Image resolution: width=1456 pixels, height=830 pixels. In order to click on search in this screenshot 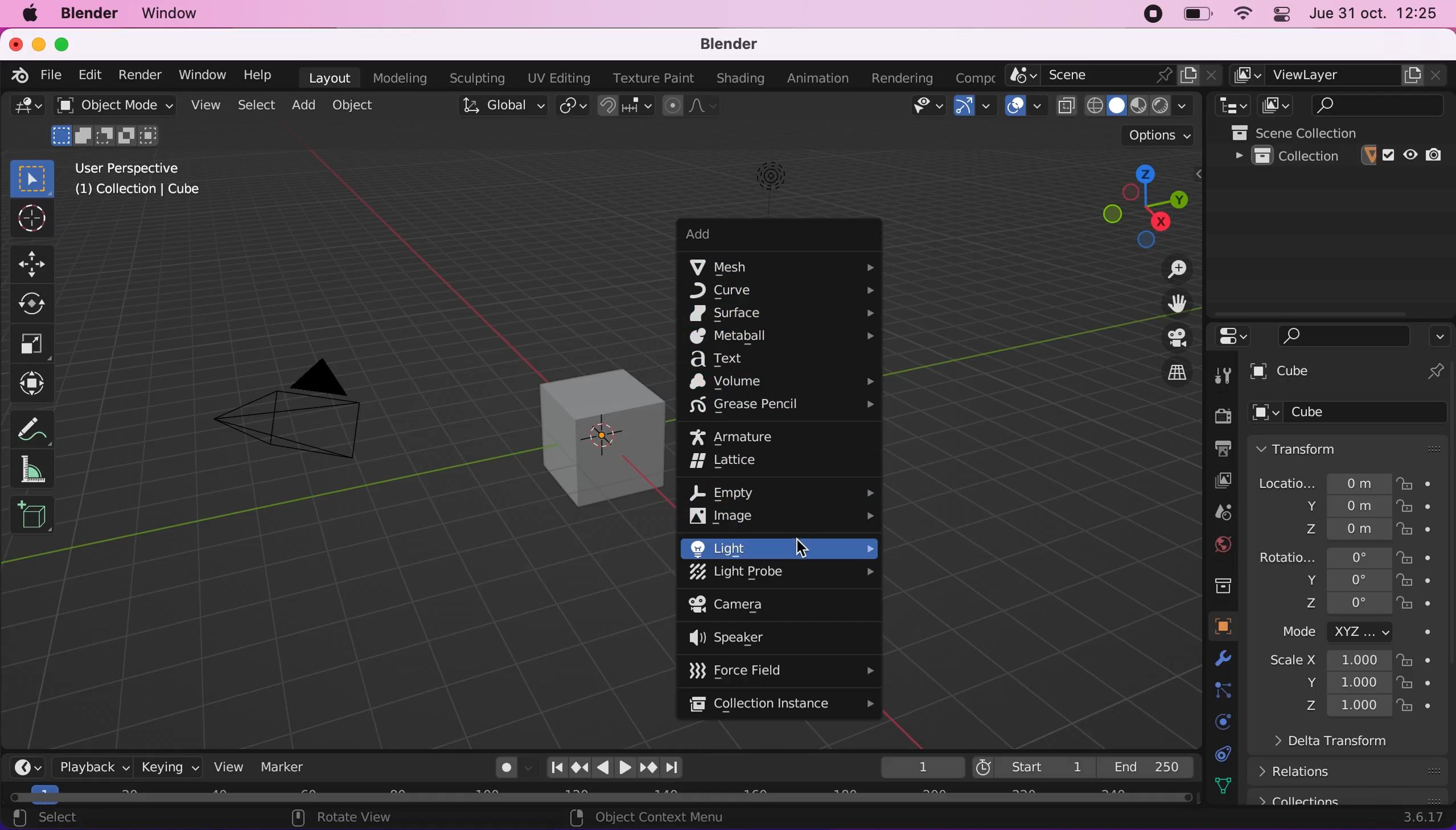, I will do `click(1369, 104)`.